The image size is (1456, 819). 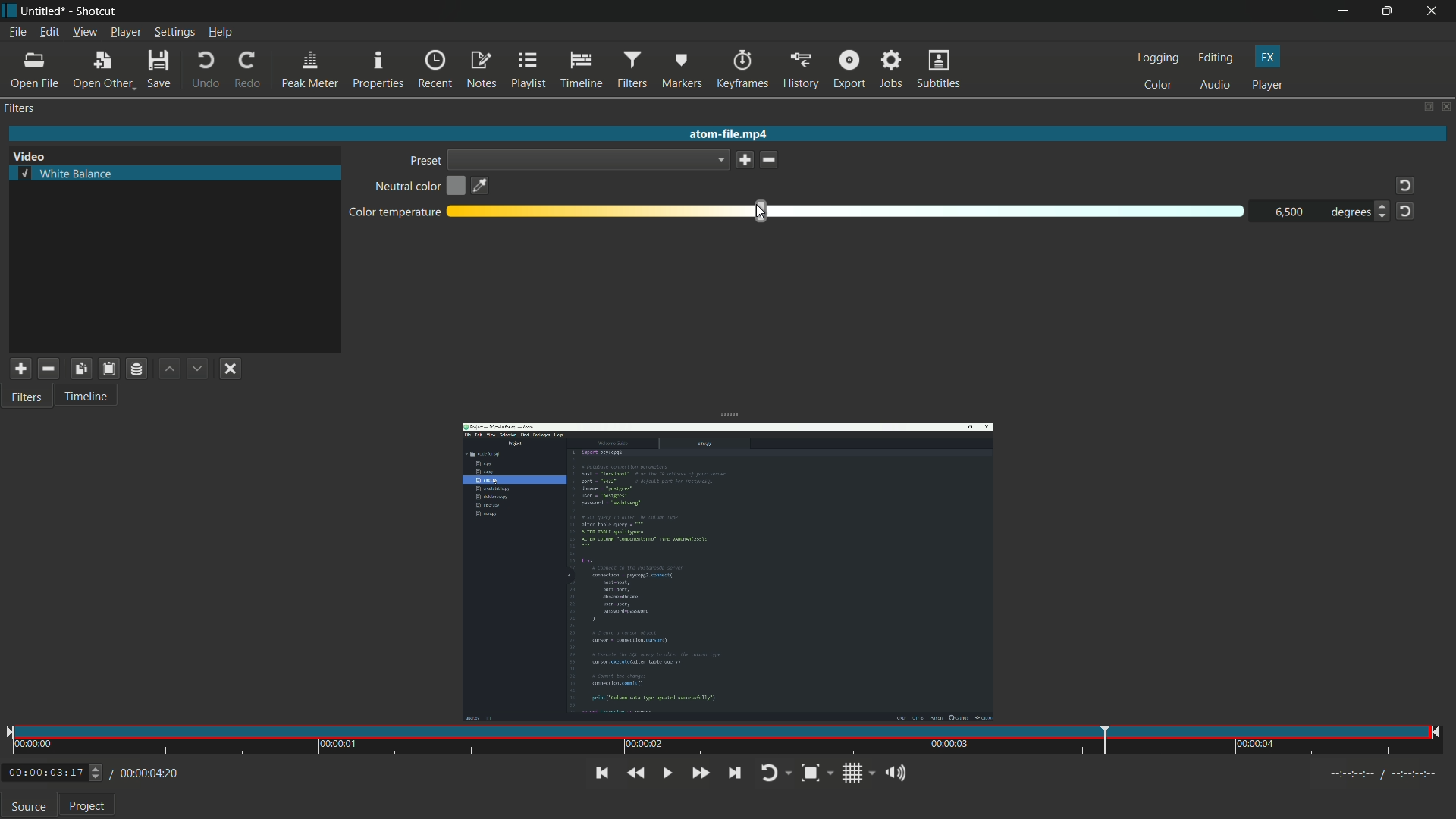 What do you see at coordinates (104, 68) in the screenshot?
I see `open other` at bounding box center [104, 68].